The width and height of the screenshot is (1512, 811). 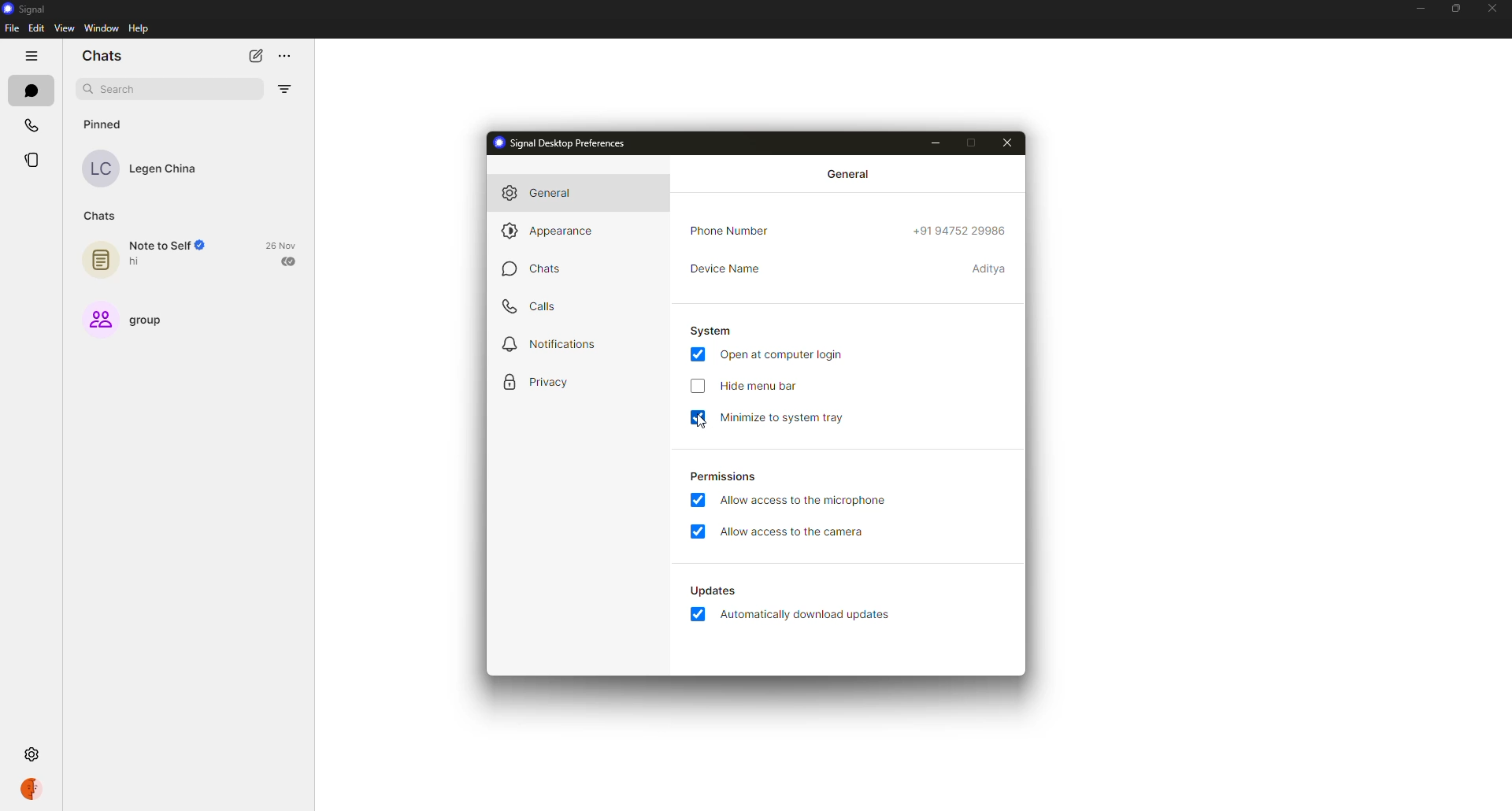 I want to click on system, so click(x=713, y=330).